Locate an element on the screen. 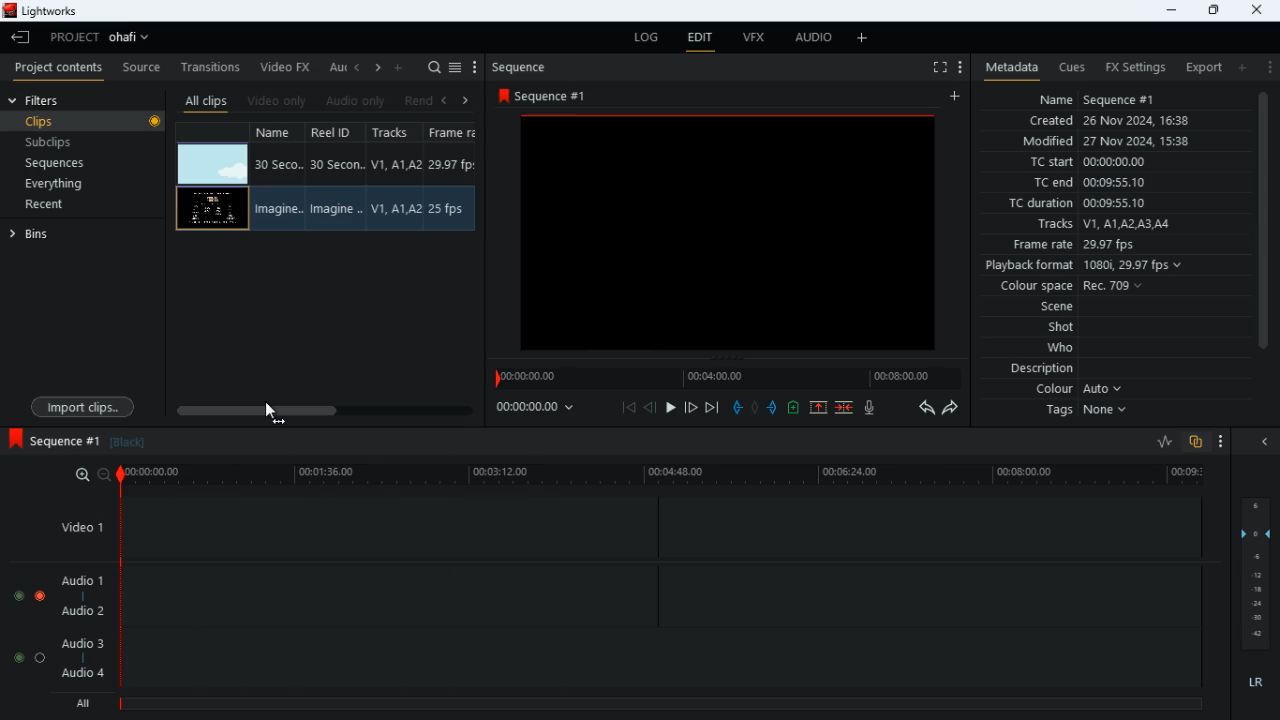 Image resolution: width=1280 pixels, height=720 pixels. video 1 is located at coordinates (78, 527).